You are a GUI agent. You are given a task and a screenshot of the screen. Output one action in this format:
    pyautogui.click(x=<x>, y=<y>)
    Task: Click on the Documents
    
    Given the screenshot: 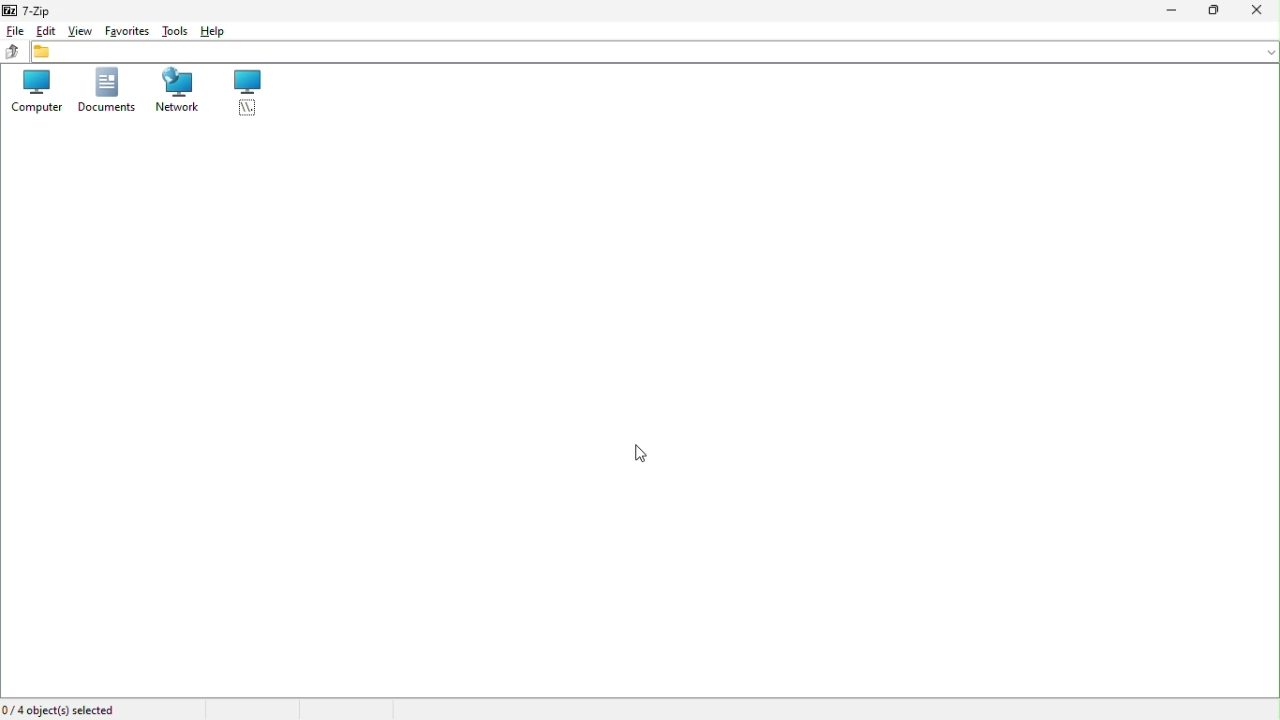 What is the action you would take?
    pyautogui.click(x=106, y=91)
    